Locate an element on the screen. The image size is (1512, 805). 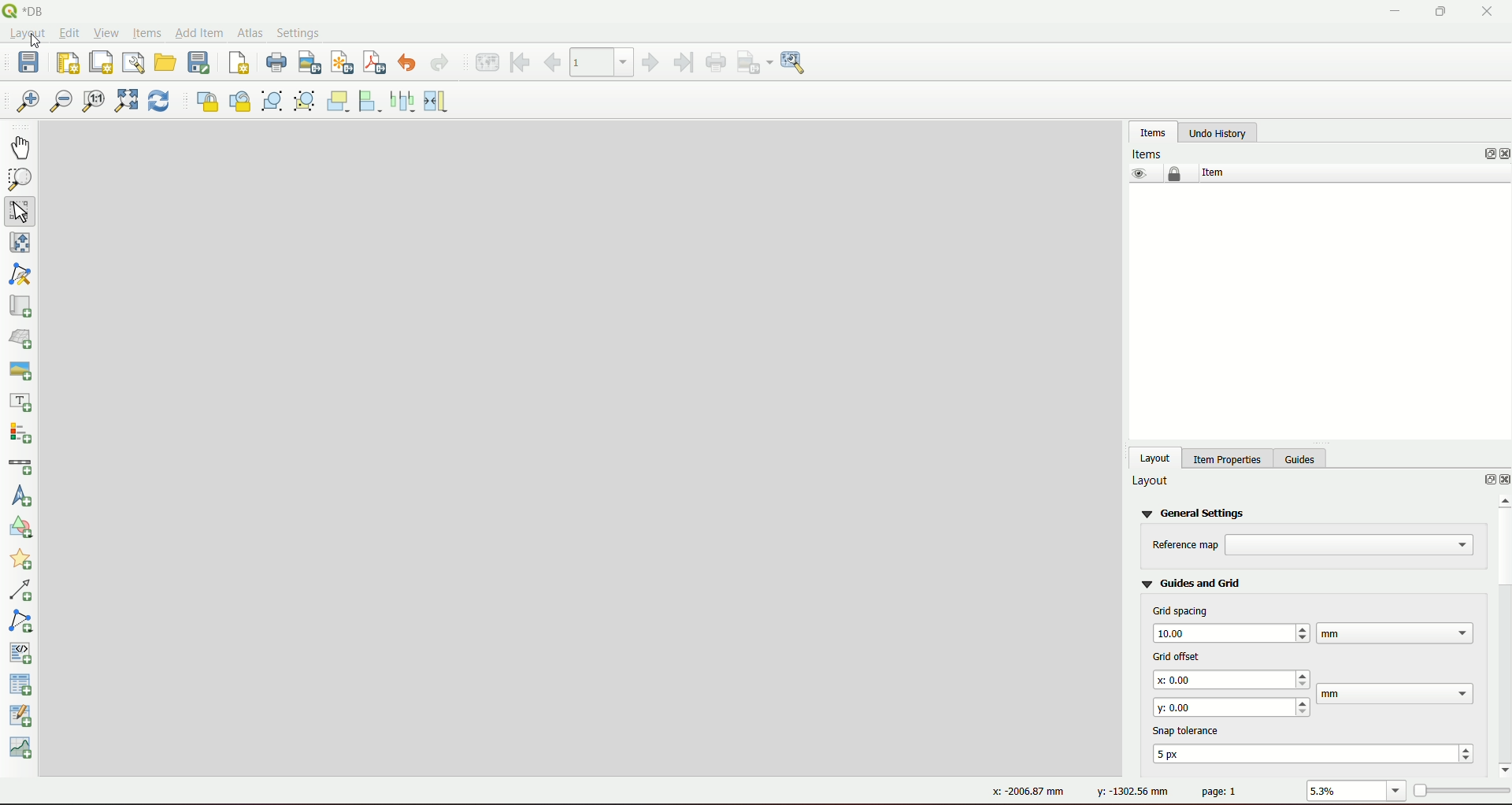
zoom is located at coordinates (20, 180).